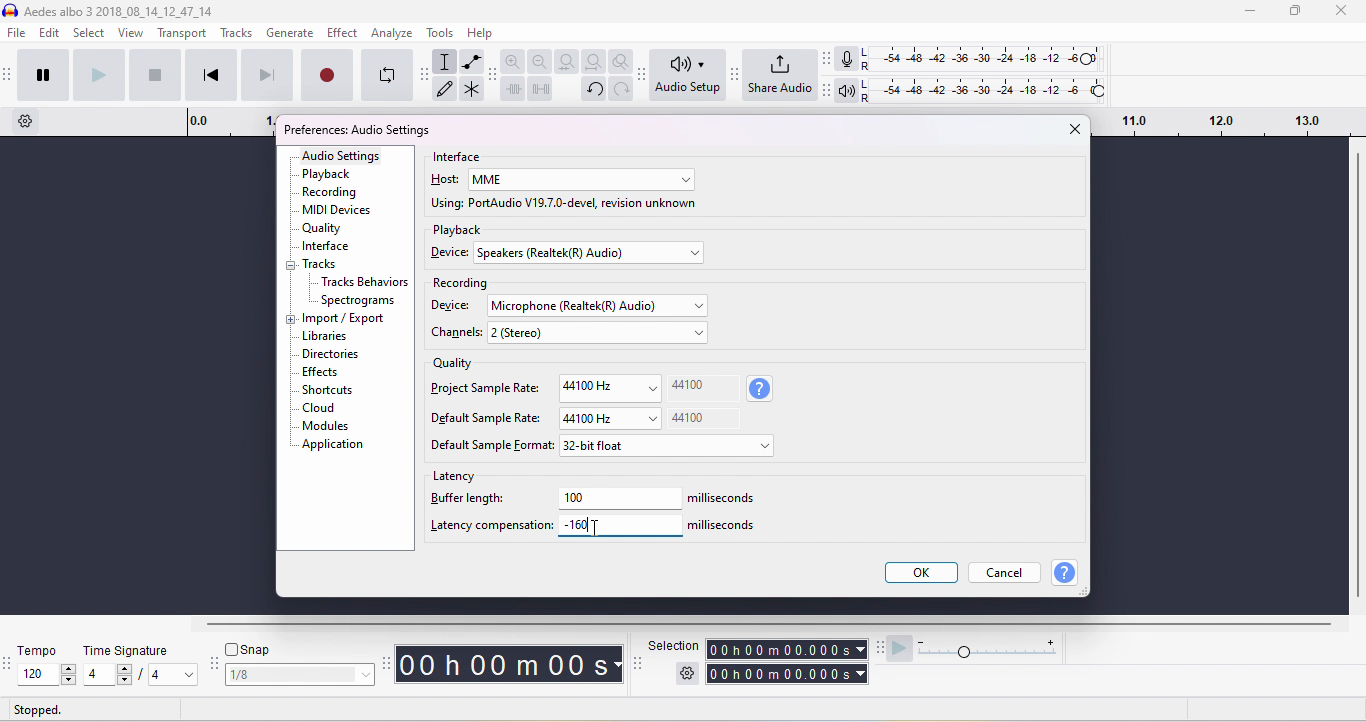 This screenshot has height=722, width=1366. I want to click on snap, so click(251, 649).